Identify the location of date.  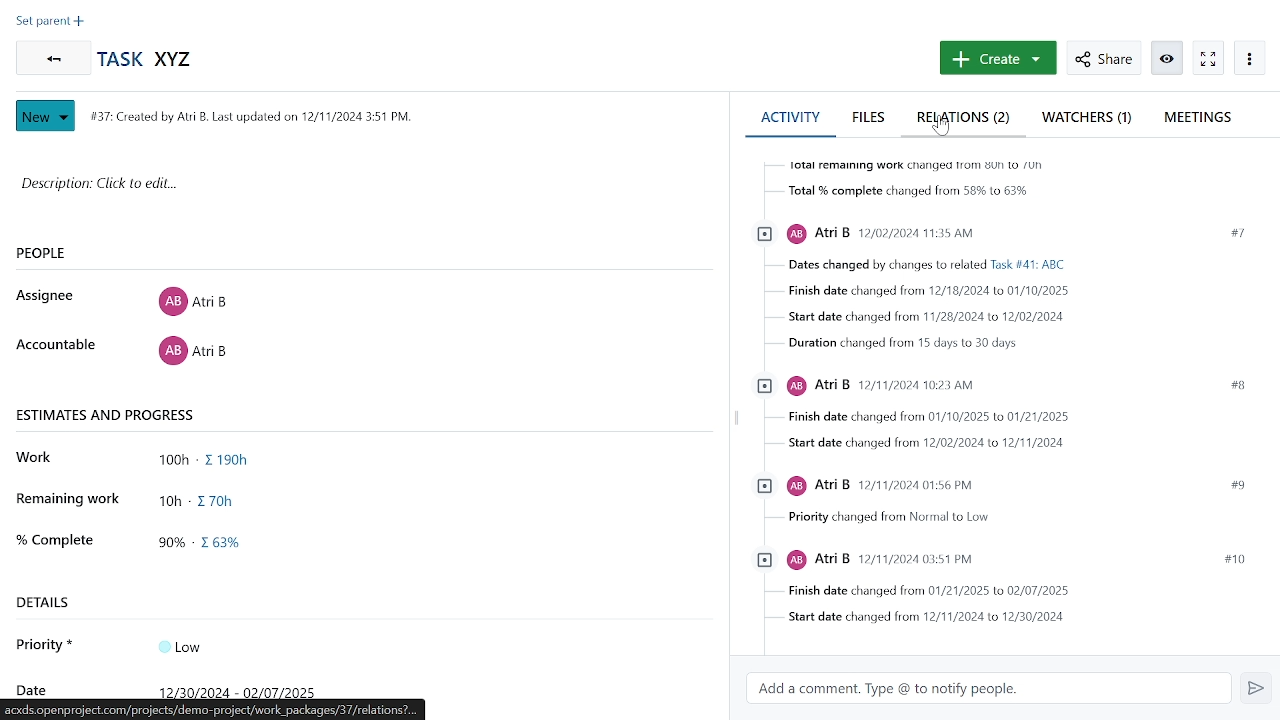
(244, 690).